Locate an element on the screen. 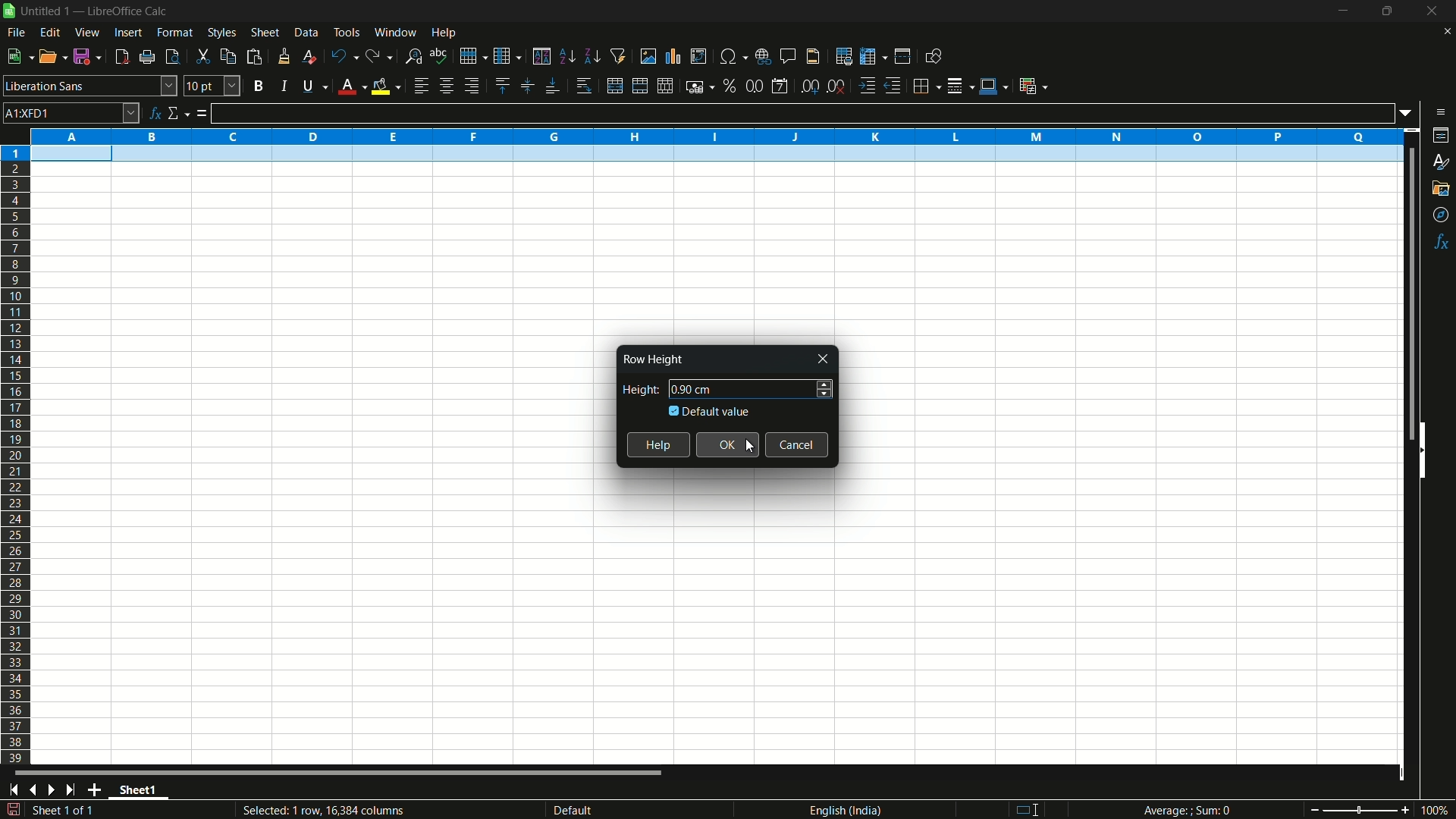 Image resolution: width=1456 pixels, height=819 pixels. formula is located at coordinates (202, 115).